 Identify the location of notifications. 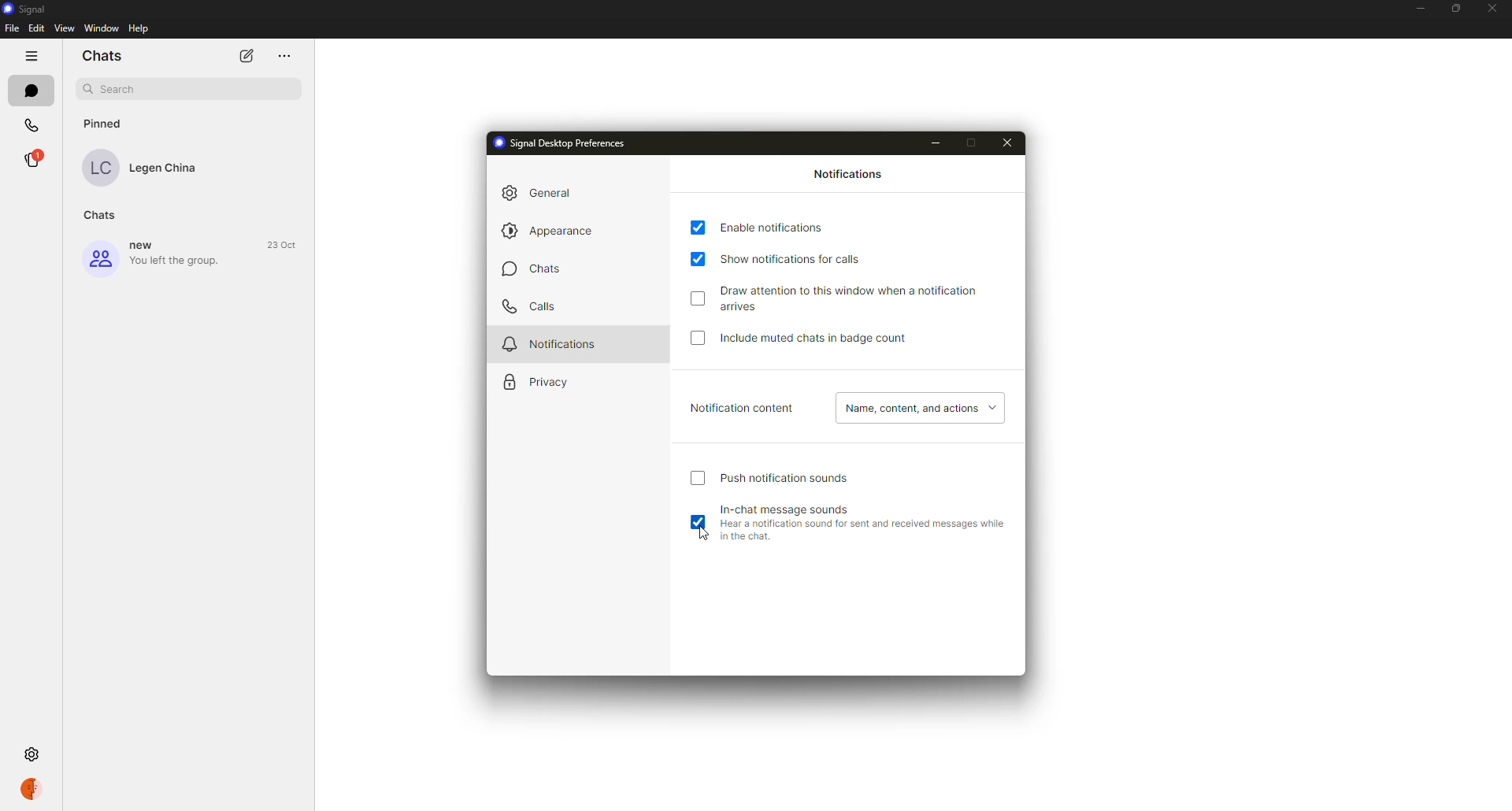
(554, 345).